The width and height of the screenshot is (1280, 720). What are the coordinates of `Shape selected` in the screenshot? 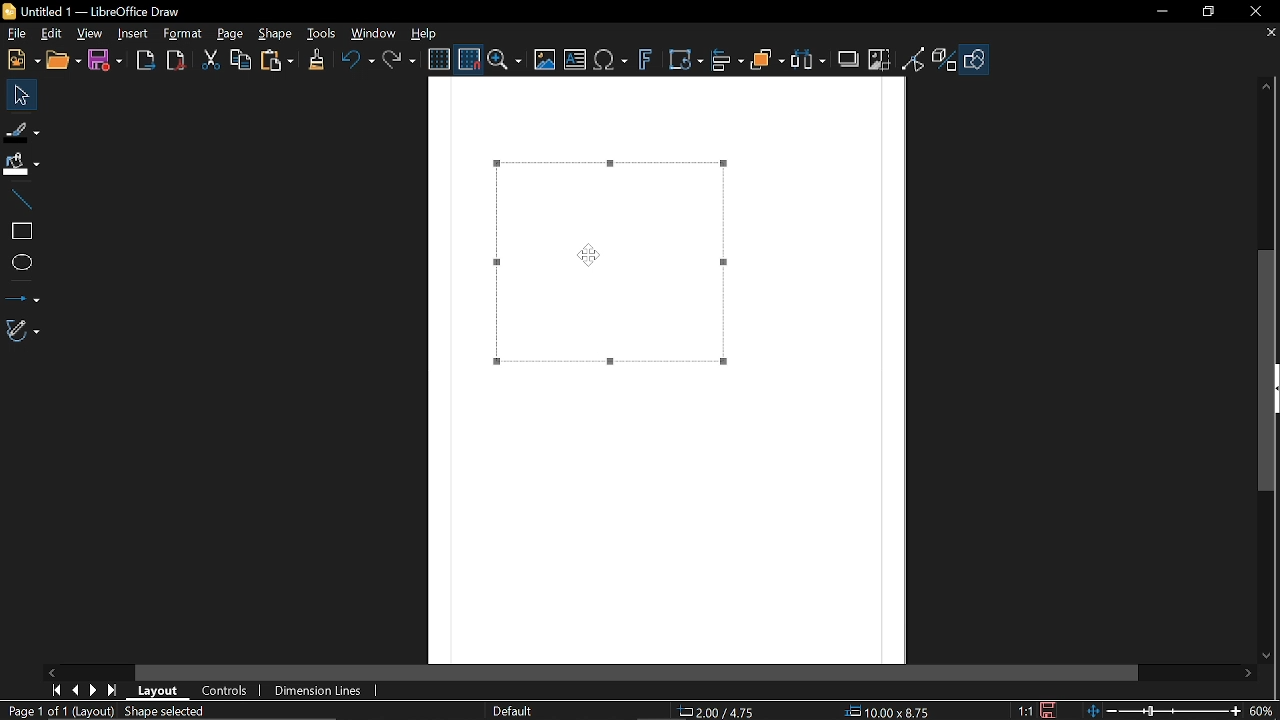 It's located at (182, 712).